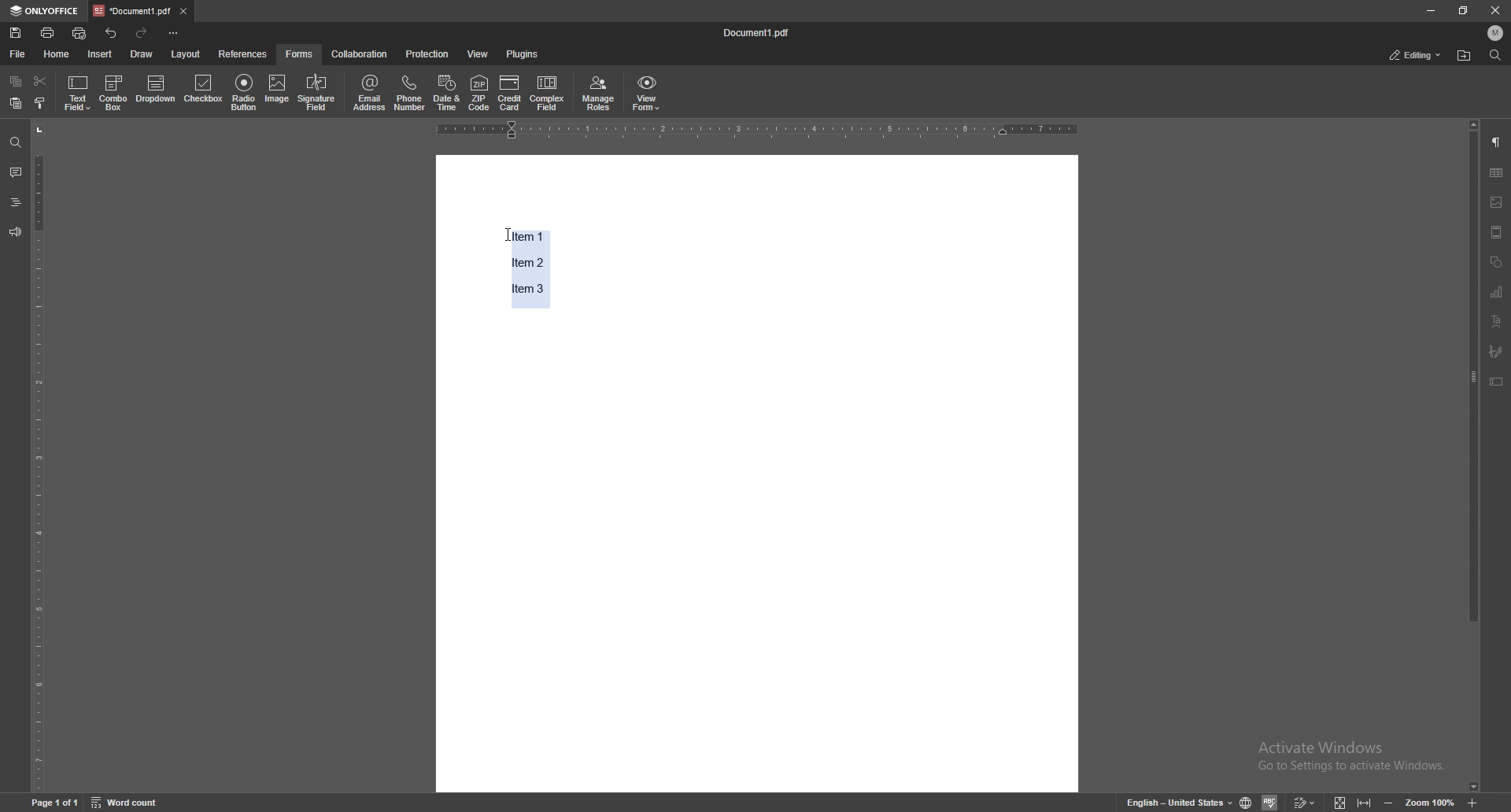  I want to click on phone number, so click(410, 92).